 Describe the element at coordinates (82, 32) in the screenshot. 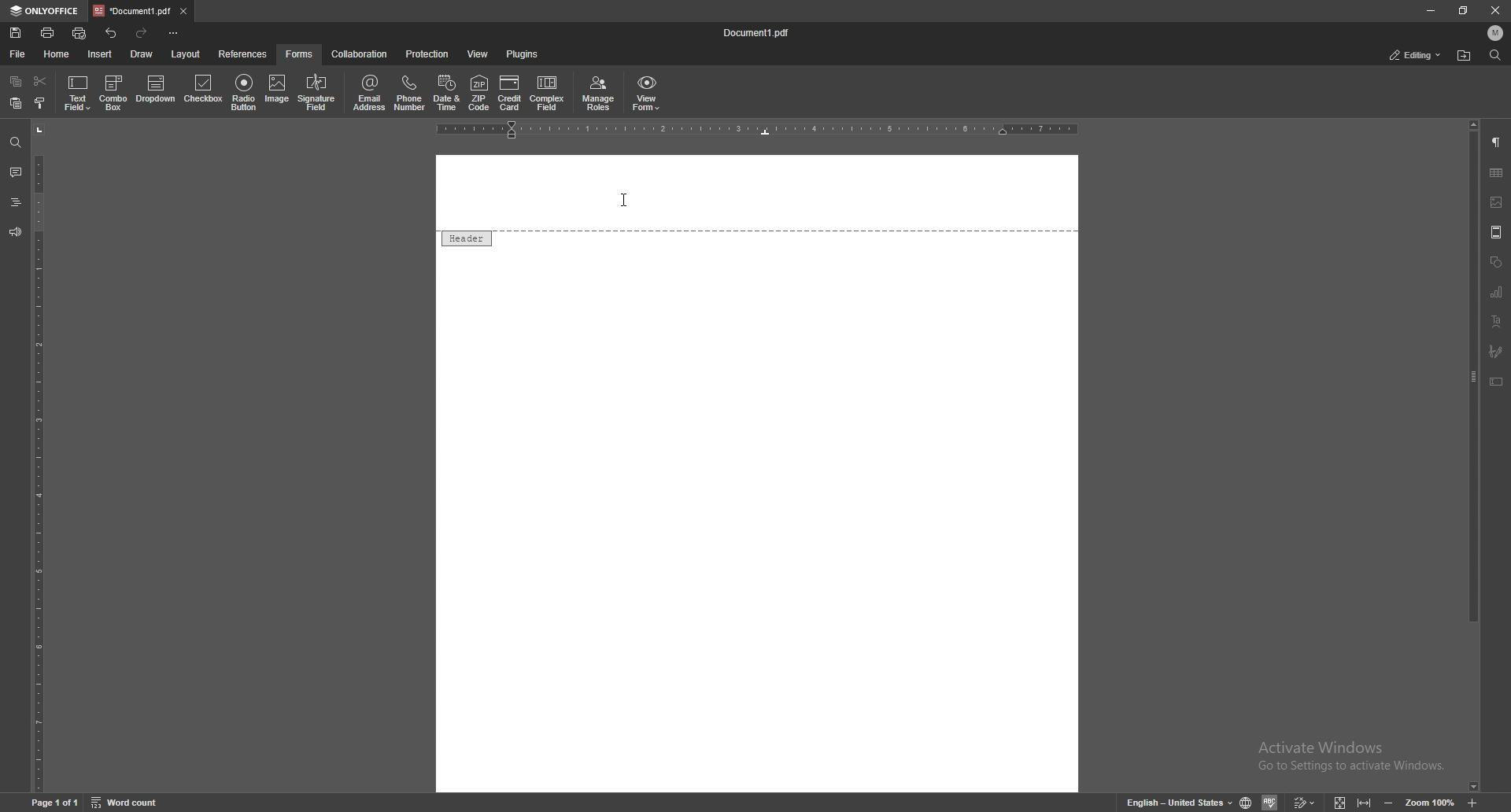

I see `quick print` at that location.